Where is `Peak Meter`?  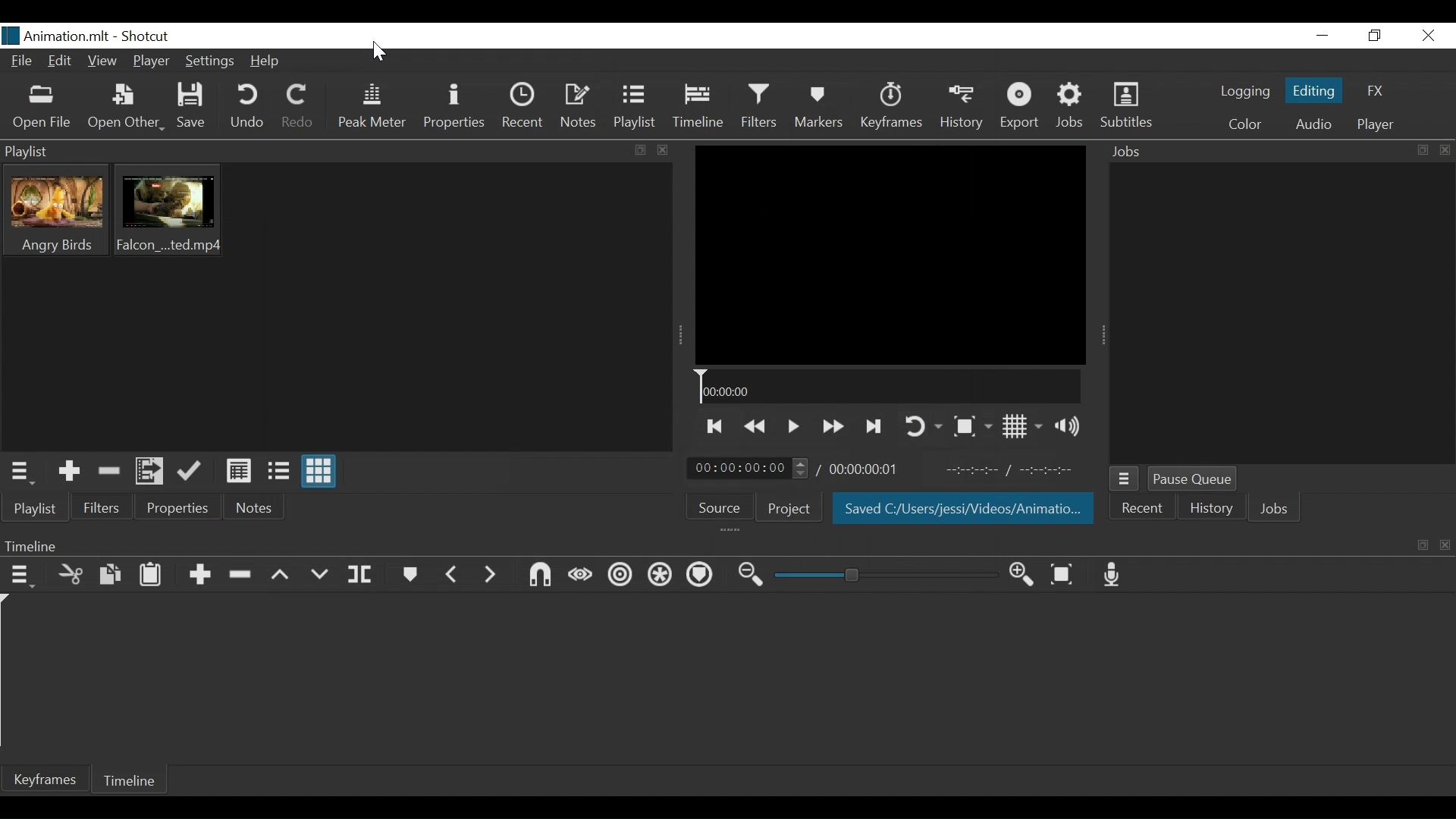 Peak Meter is located at coordinates (370, 108).